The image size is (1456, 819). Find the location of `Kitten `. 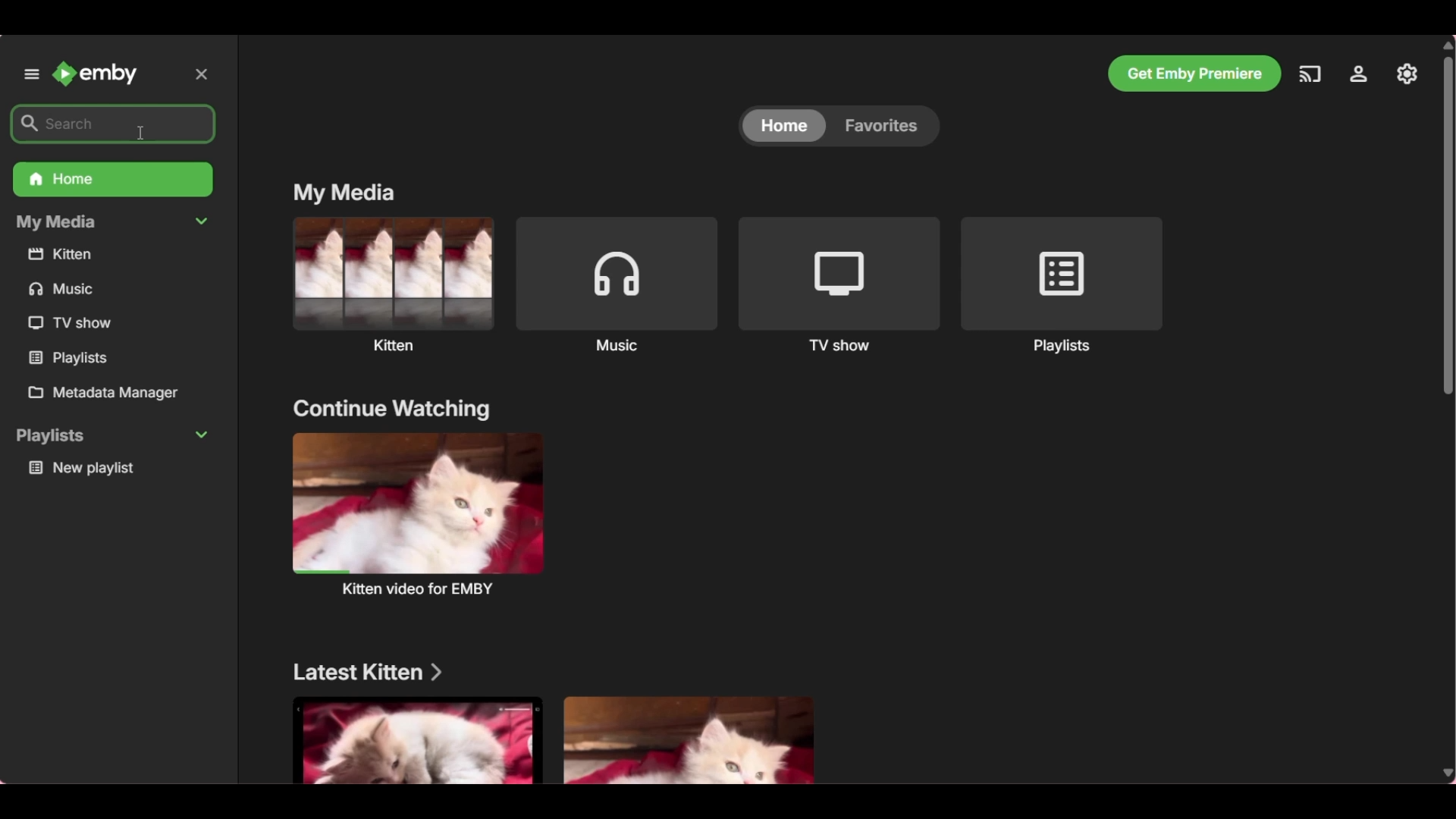

Kitten  is located at coordinates (393, 283).